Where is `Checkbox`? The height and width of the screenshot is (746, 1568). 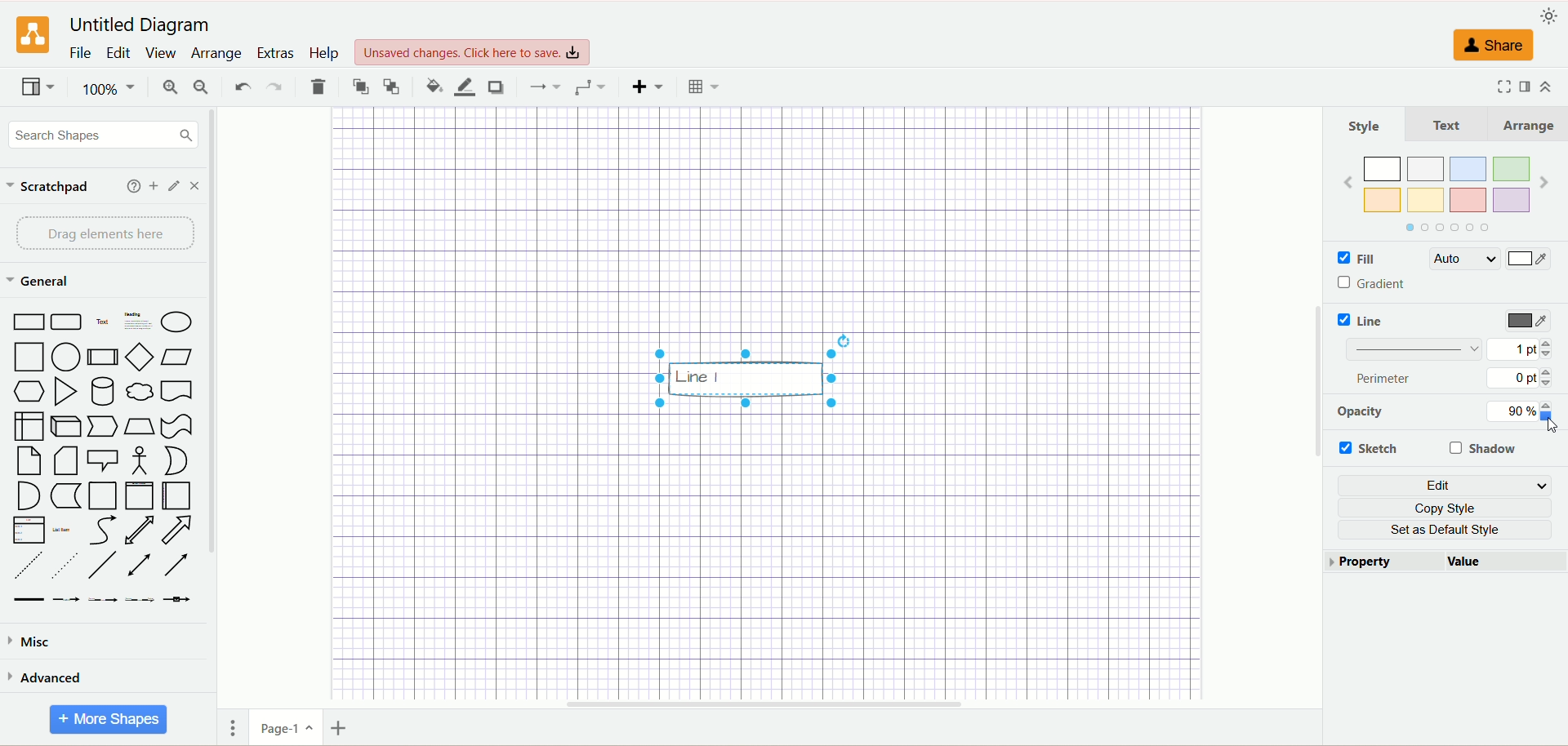 Checkbox is located at coordinates (1339, 260).